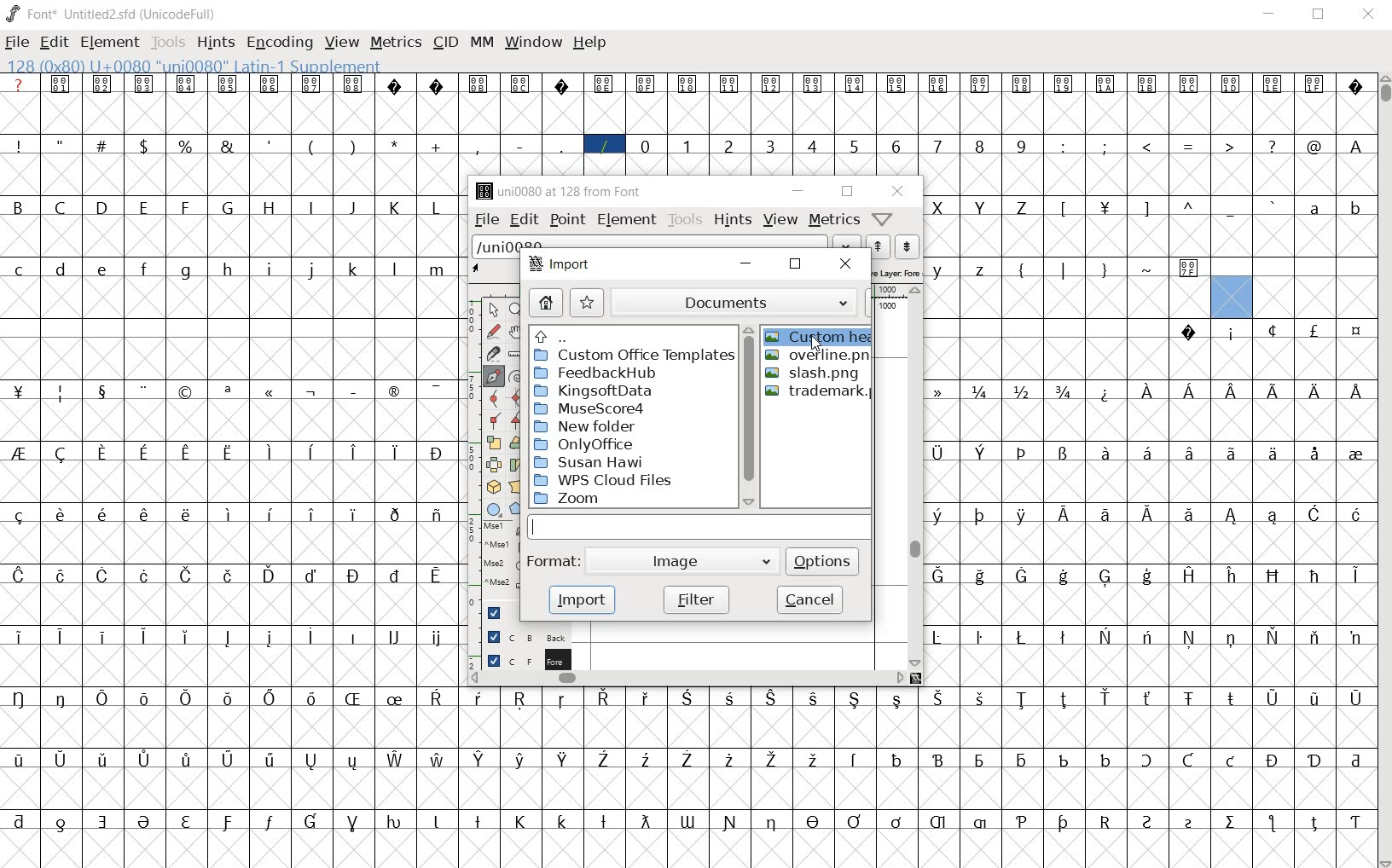 Image resolution: width=1392 pixels, height=868 pixels. Describe the element at coordinates (103, 822) in the screenshot. I see `glyph` at that location.